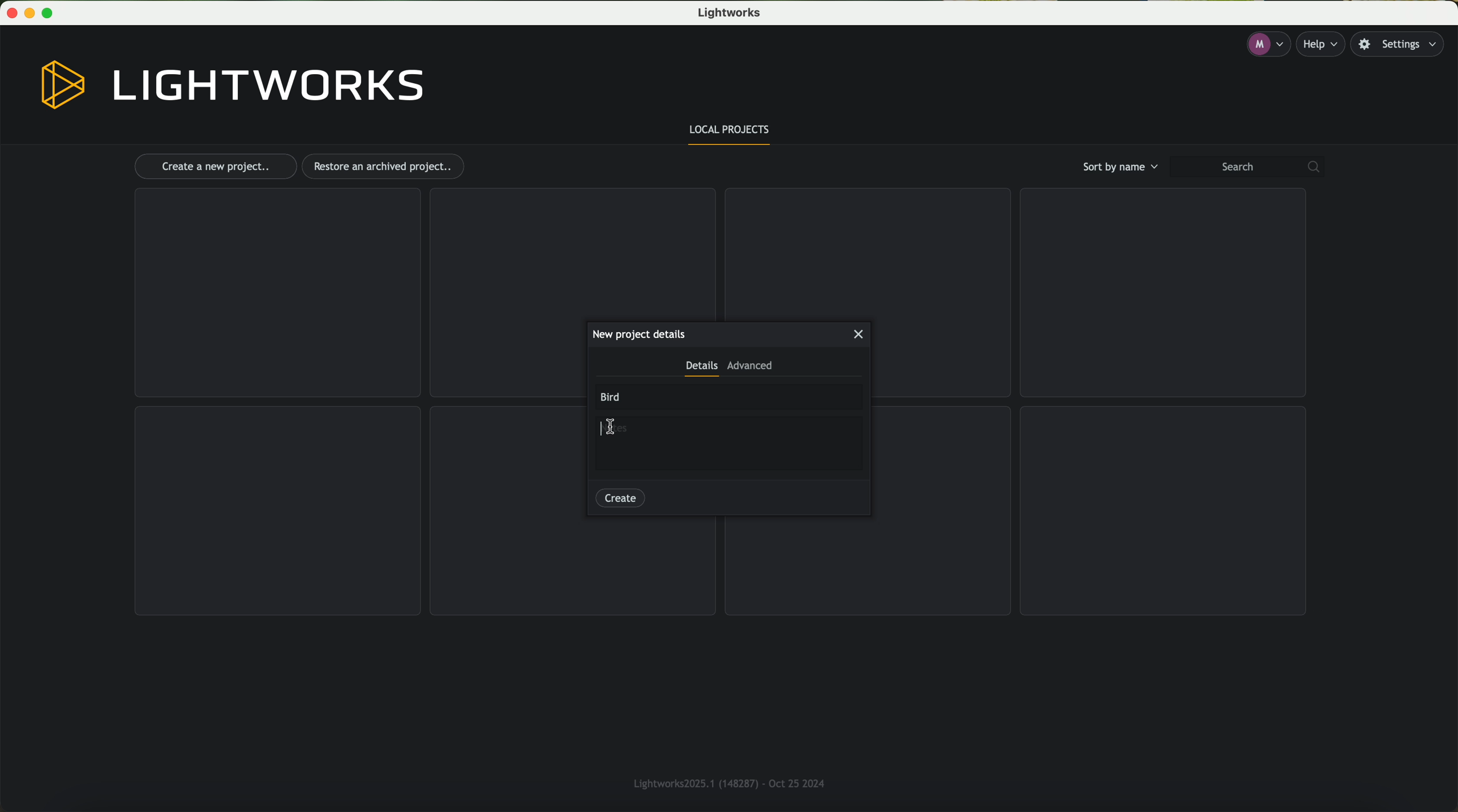 The height and width of the screenshot is (812, 1458). I want to click on restore an archived project, so click(386, 166).